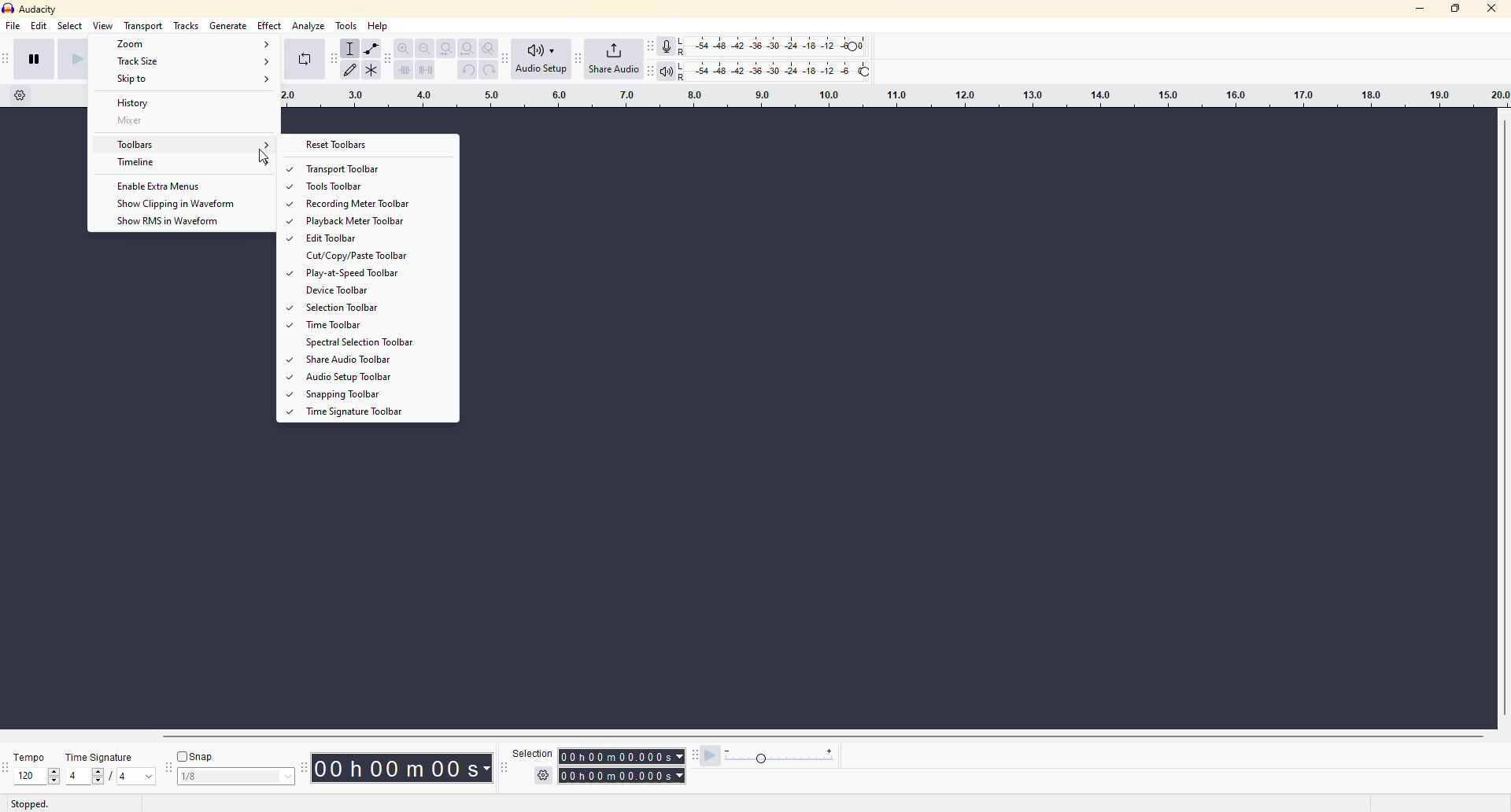 The width and height of the screenshot is (1511, 812). Describe the element at coordinates (339, 376) in the screenshot. I see `audio setup toolbar` at that location.